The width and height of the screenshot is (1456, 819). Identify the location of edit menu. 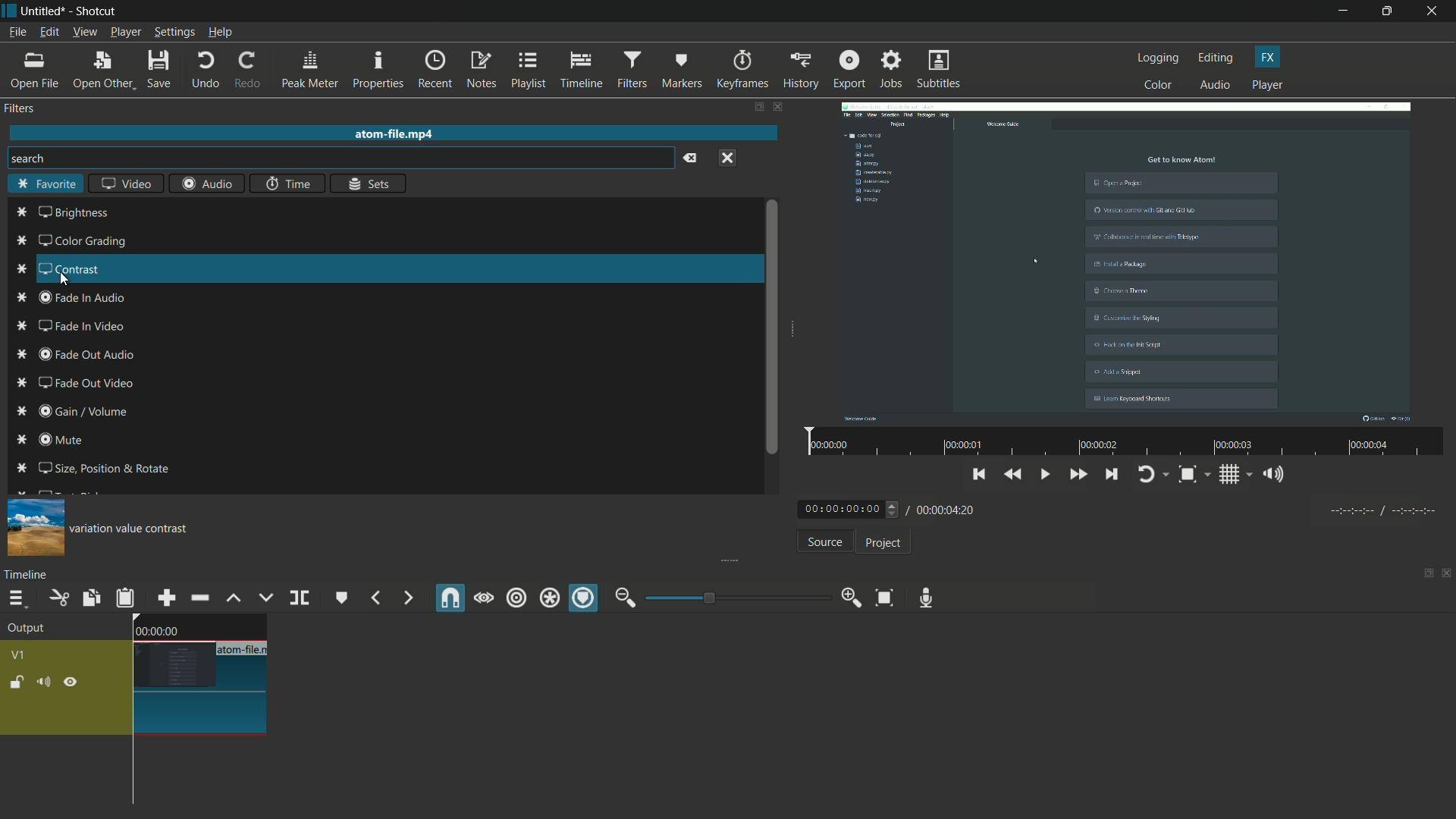
(47, 33).